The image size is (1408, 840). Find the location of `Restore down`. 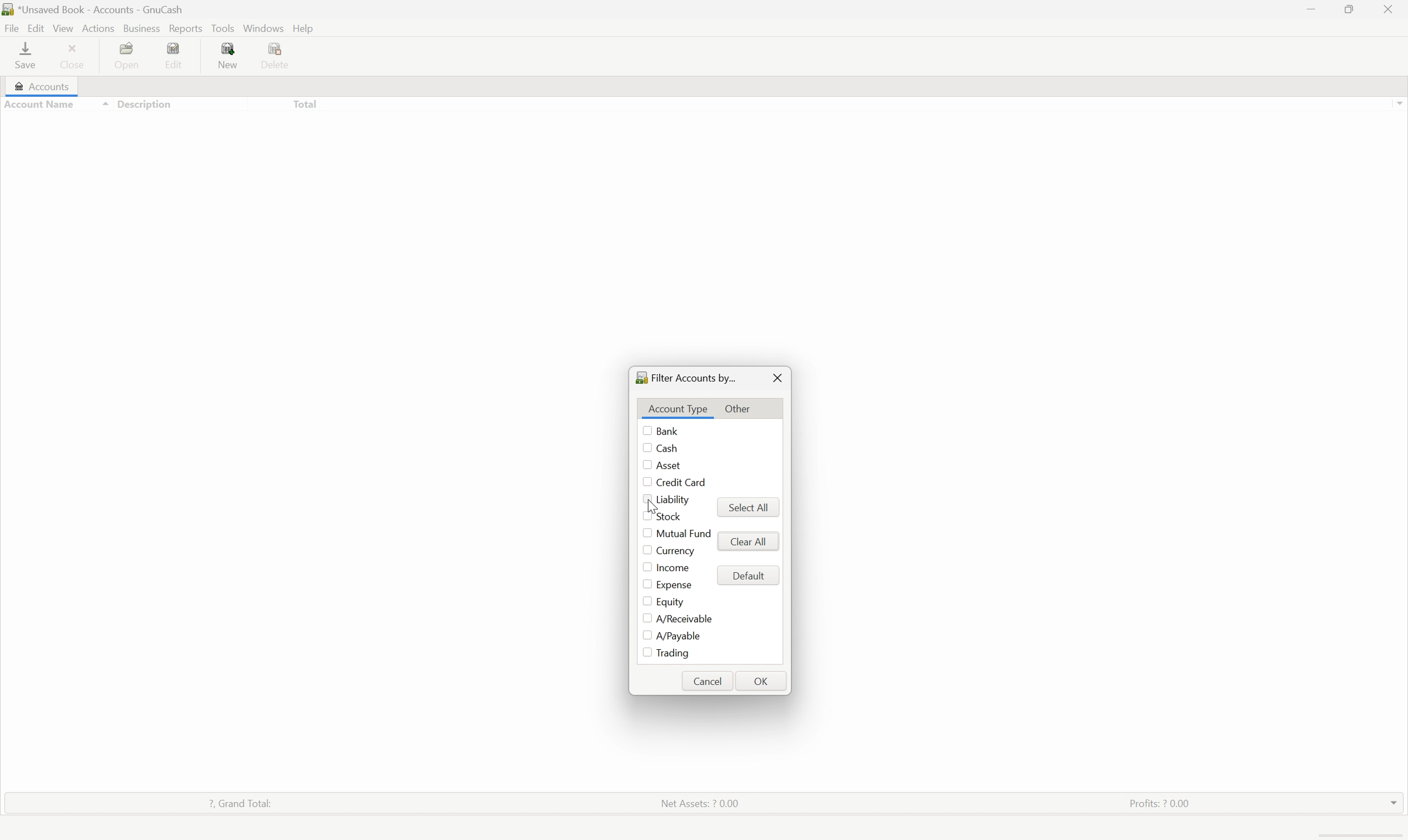

Restore down is located at coordinates (1353, 8).